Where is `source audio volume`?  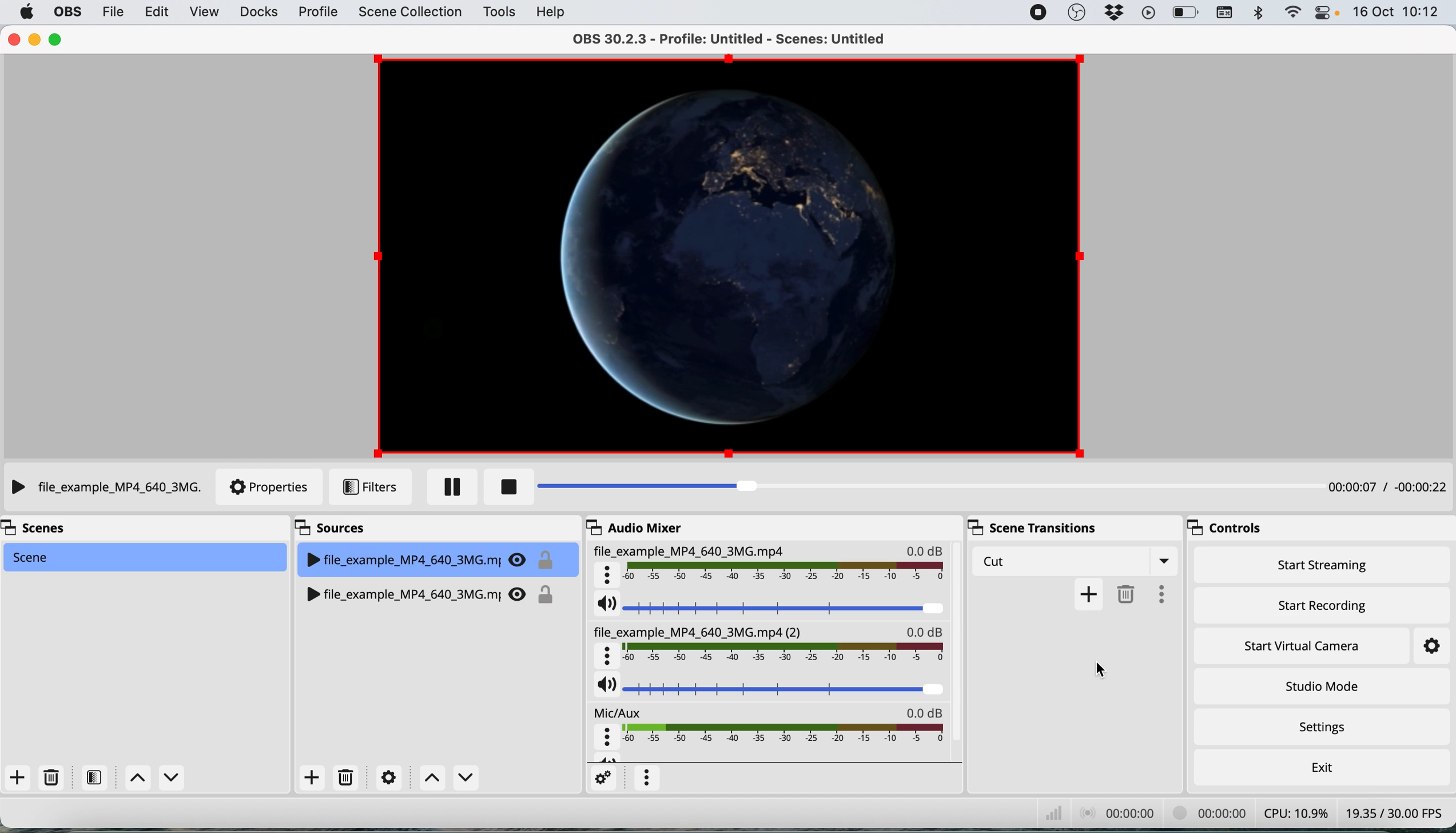
source audio volume is located at coordinates (769, 683).